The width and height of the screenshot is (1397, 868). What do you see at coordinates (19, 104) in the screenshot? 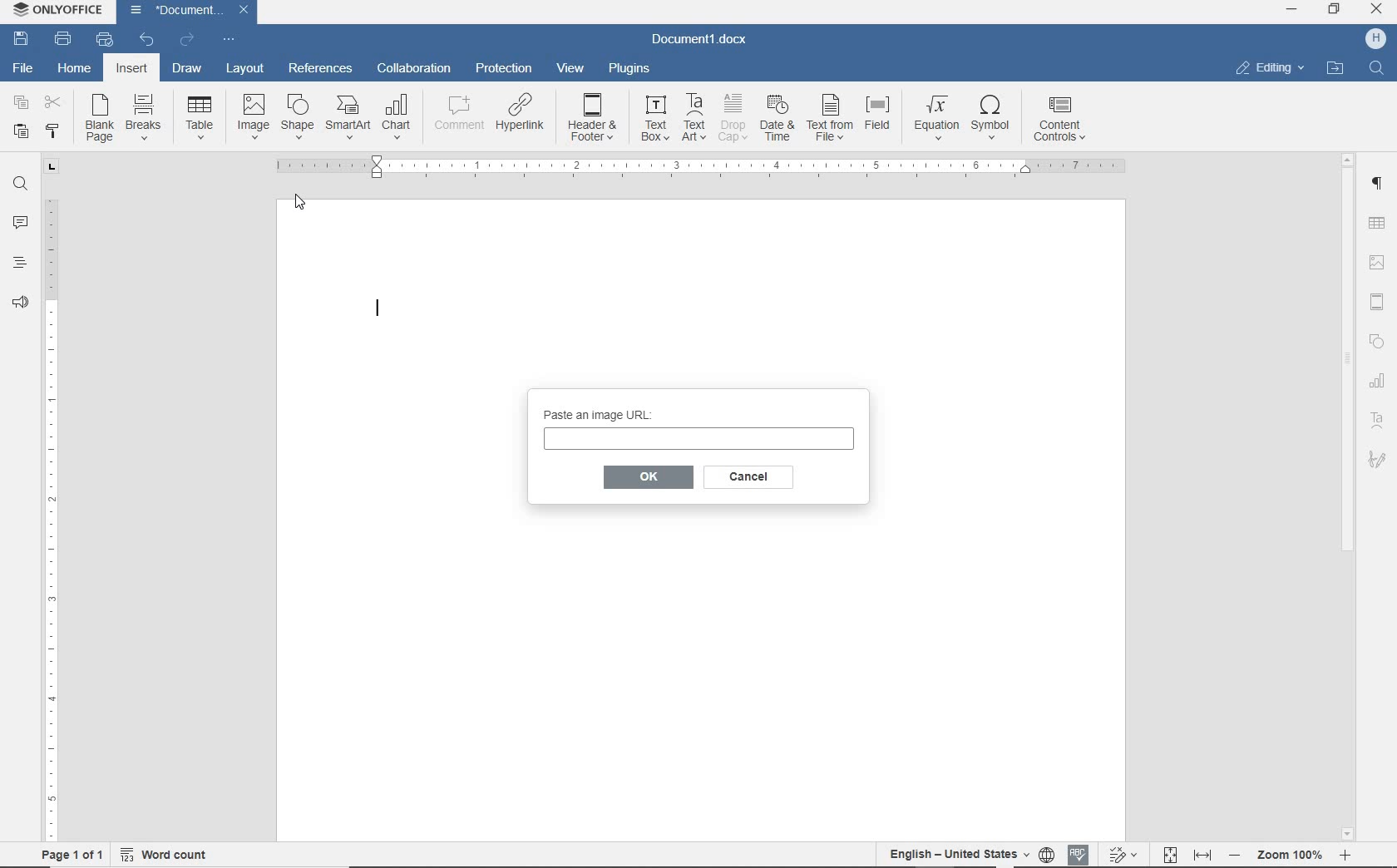
I see `copy` at bounding box center [19, 104].